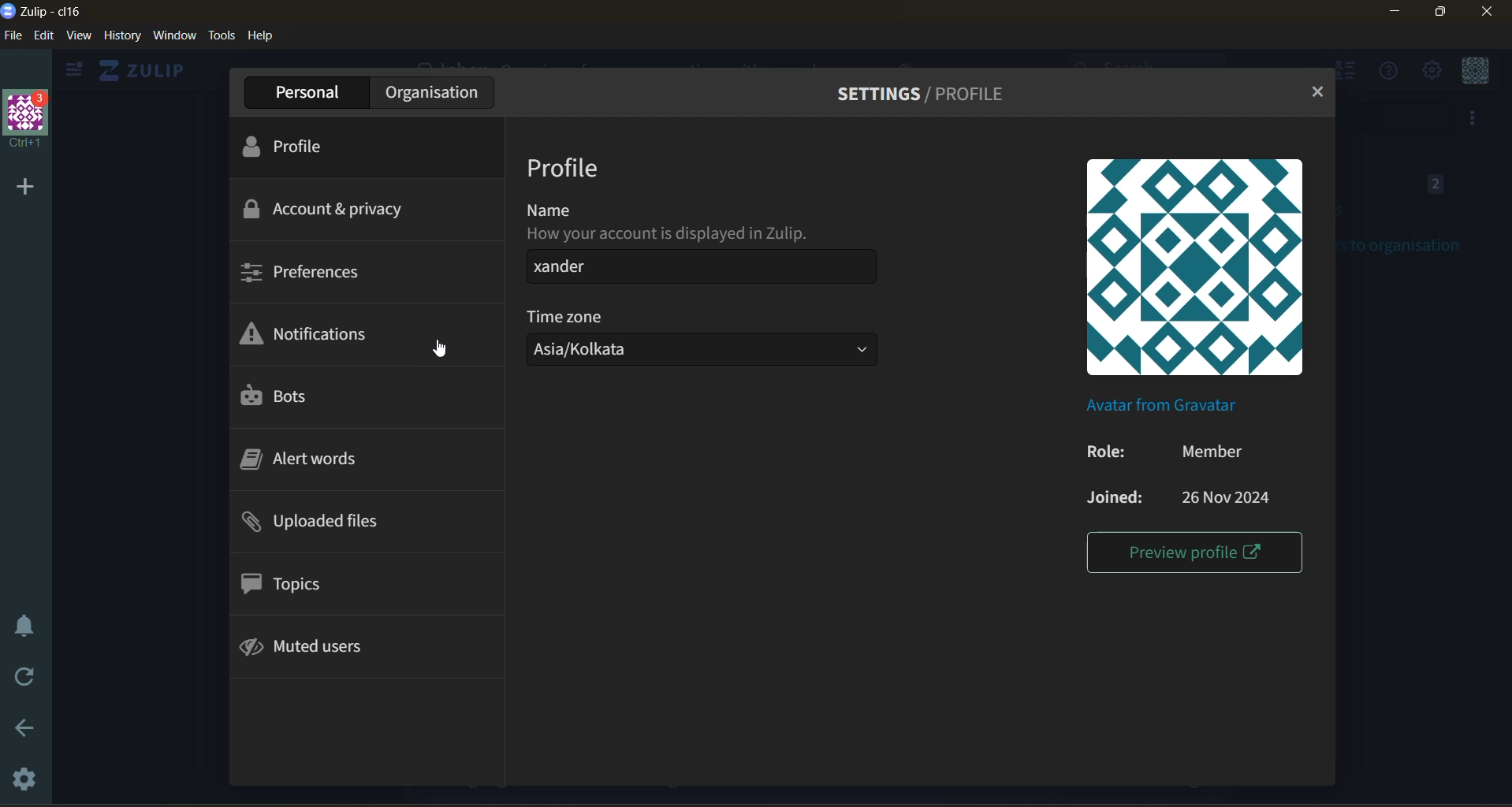 The image size is (1512, 807). I want to click on account and privacy, so click(330, 208).